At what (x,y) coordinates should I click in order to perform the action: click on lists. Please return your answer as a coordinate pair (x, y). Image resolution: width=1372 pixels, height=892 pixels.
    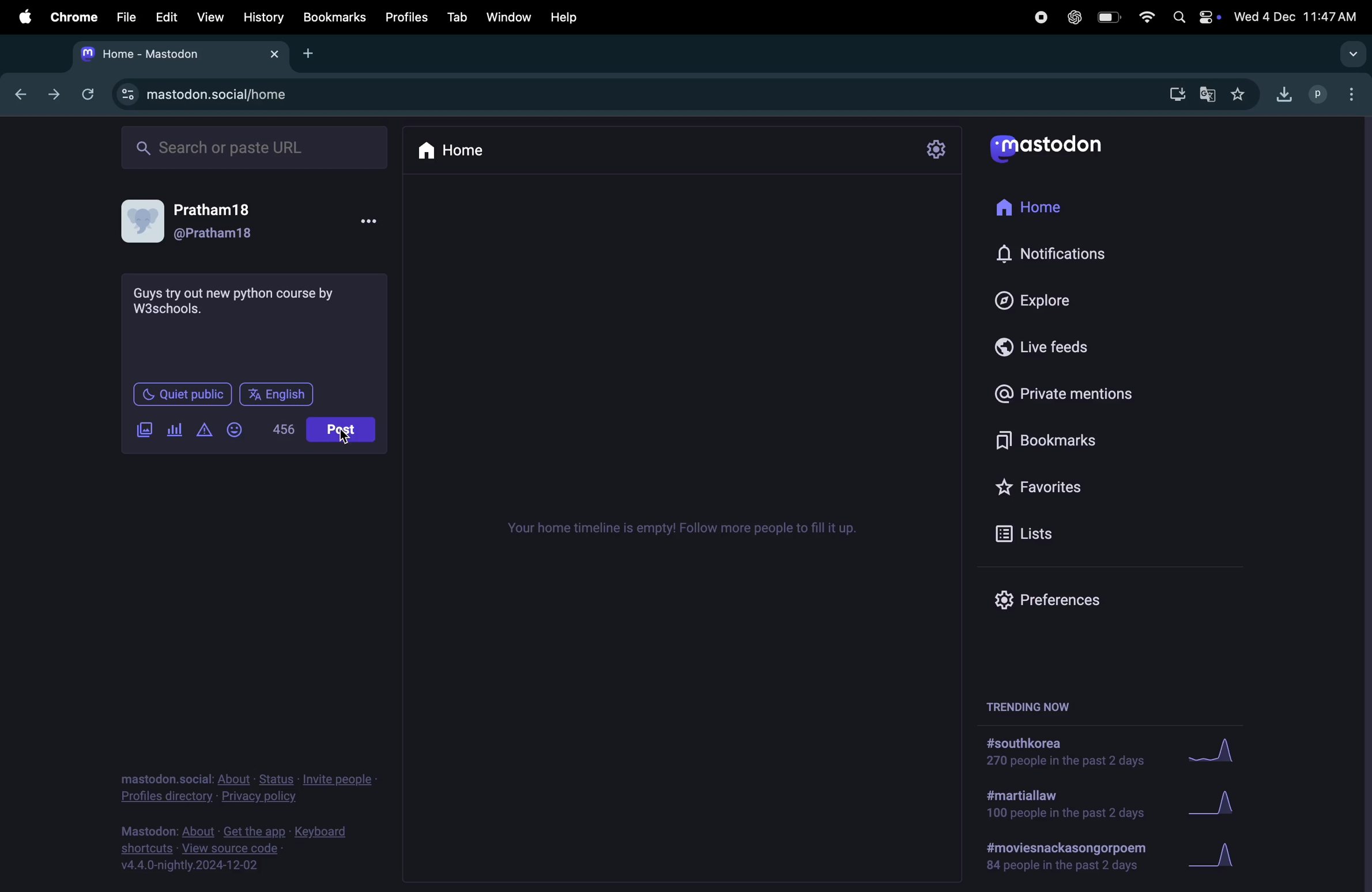
    Looking at the image, I should click on (1030, 533).